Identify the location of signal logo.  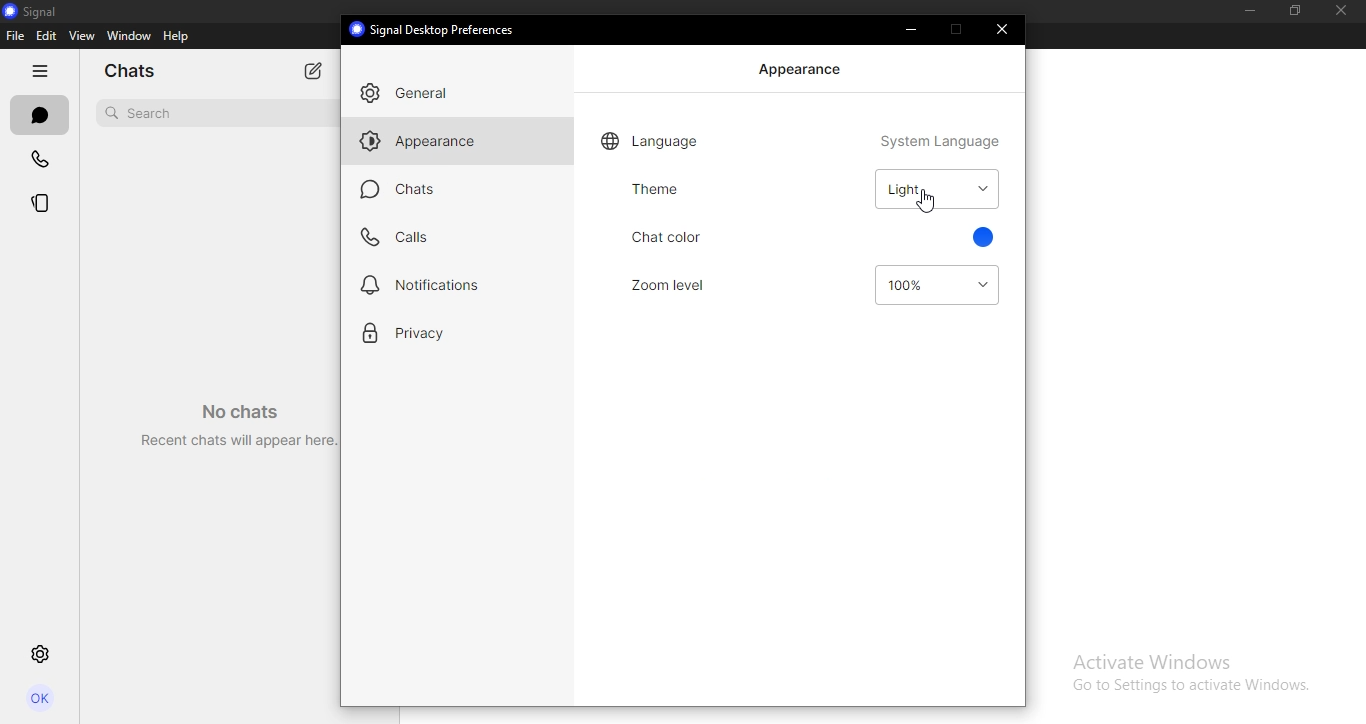
(32, 11).